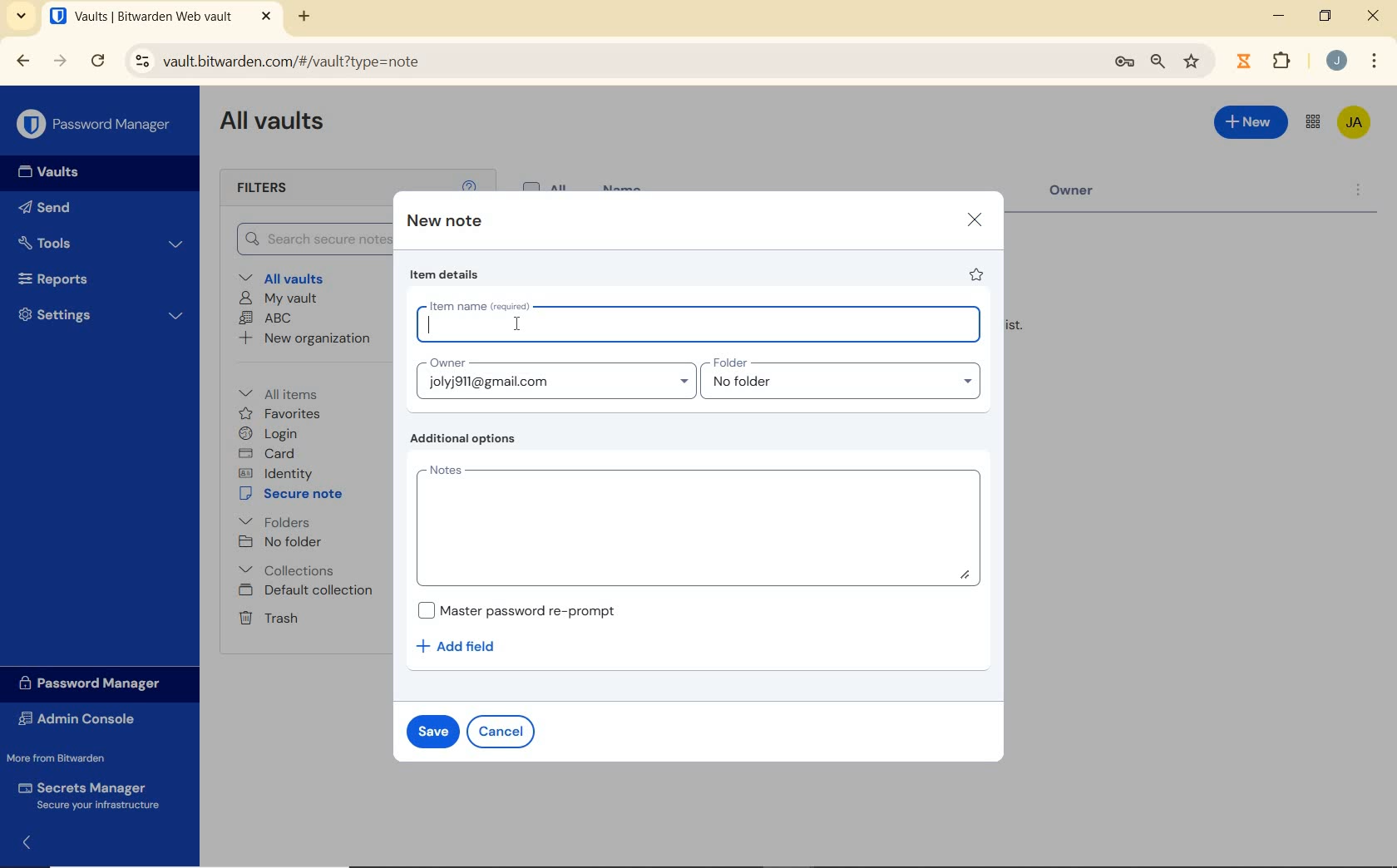  What do you see at coordinates (607, 62) in the screenshot?
I see `address bar` at bounding box center [607, 62].